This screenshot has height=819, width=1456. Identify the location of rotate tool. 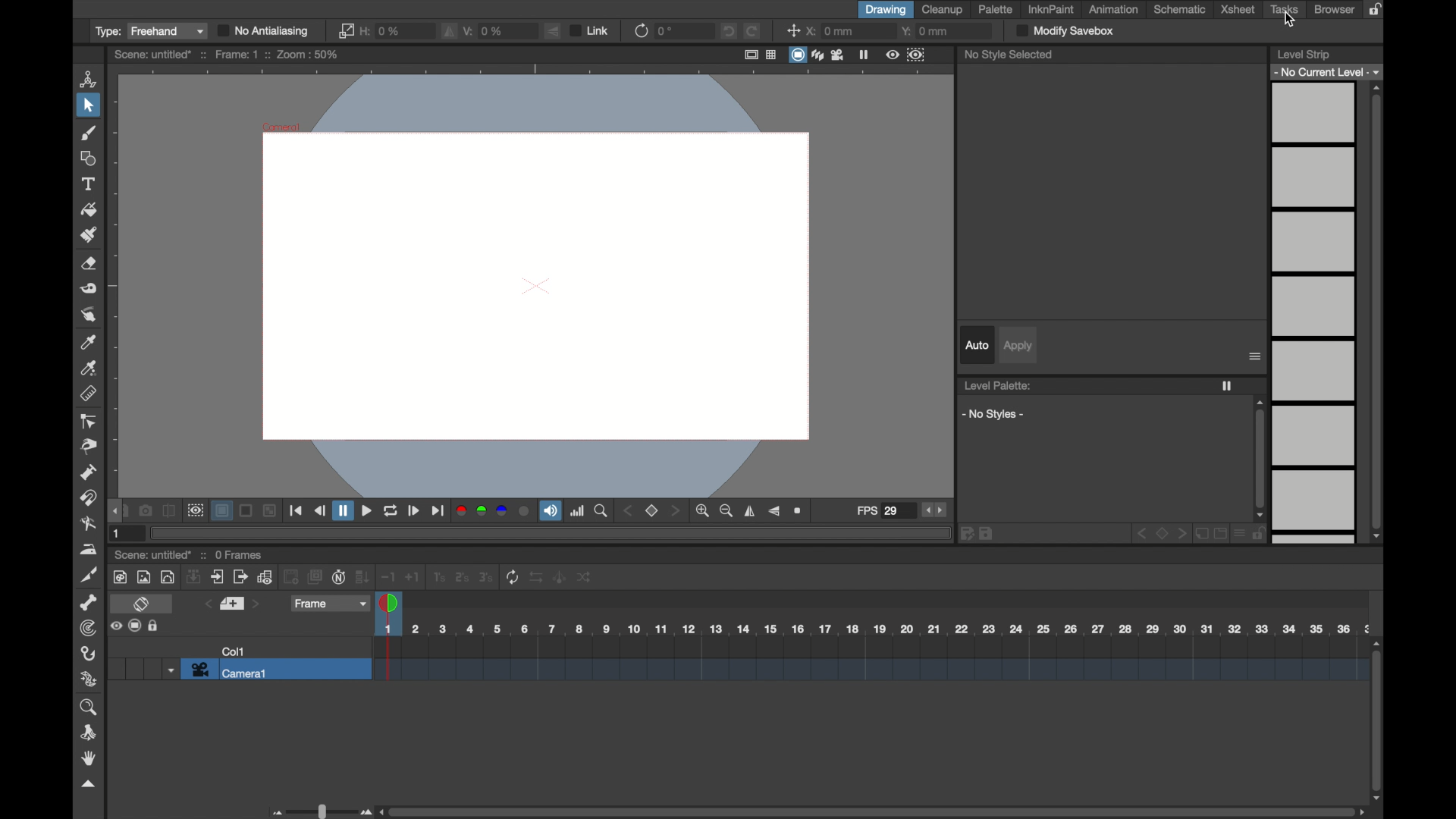
(90, 733).